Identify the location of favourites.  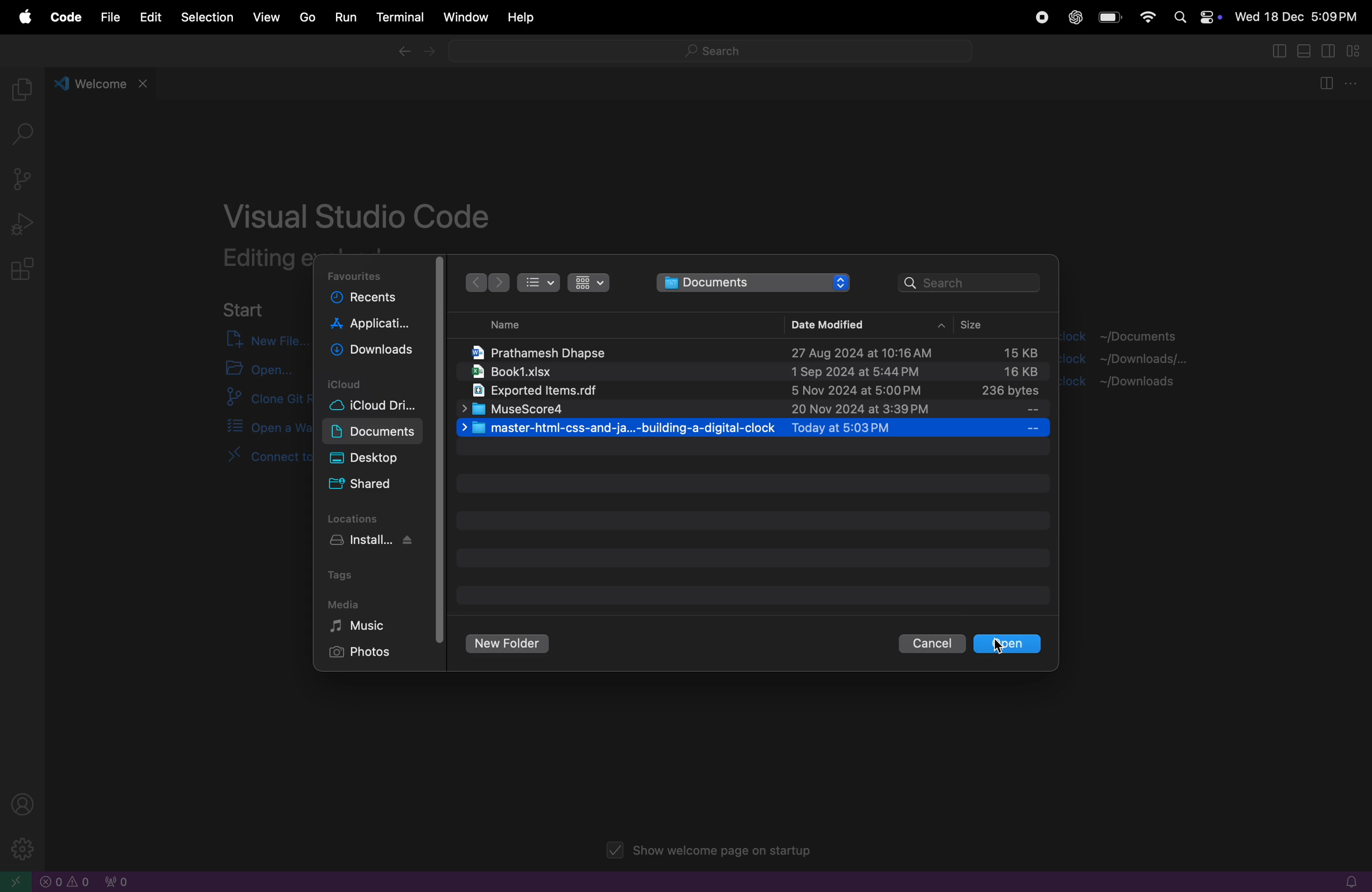
(358, 275).